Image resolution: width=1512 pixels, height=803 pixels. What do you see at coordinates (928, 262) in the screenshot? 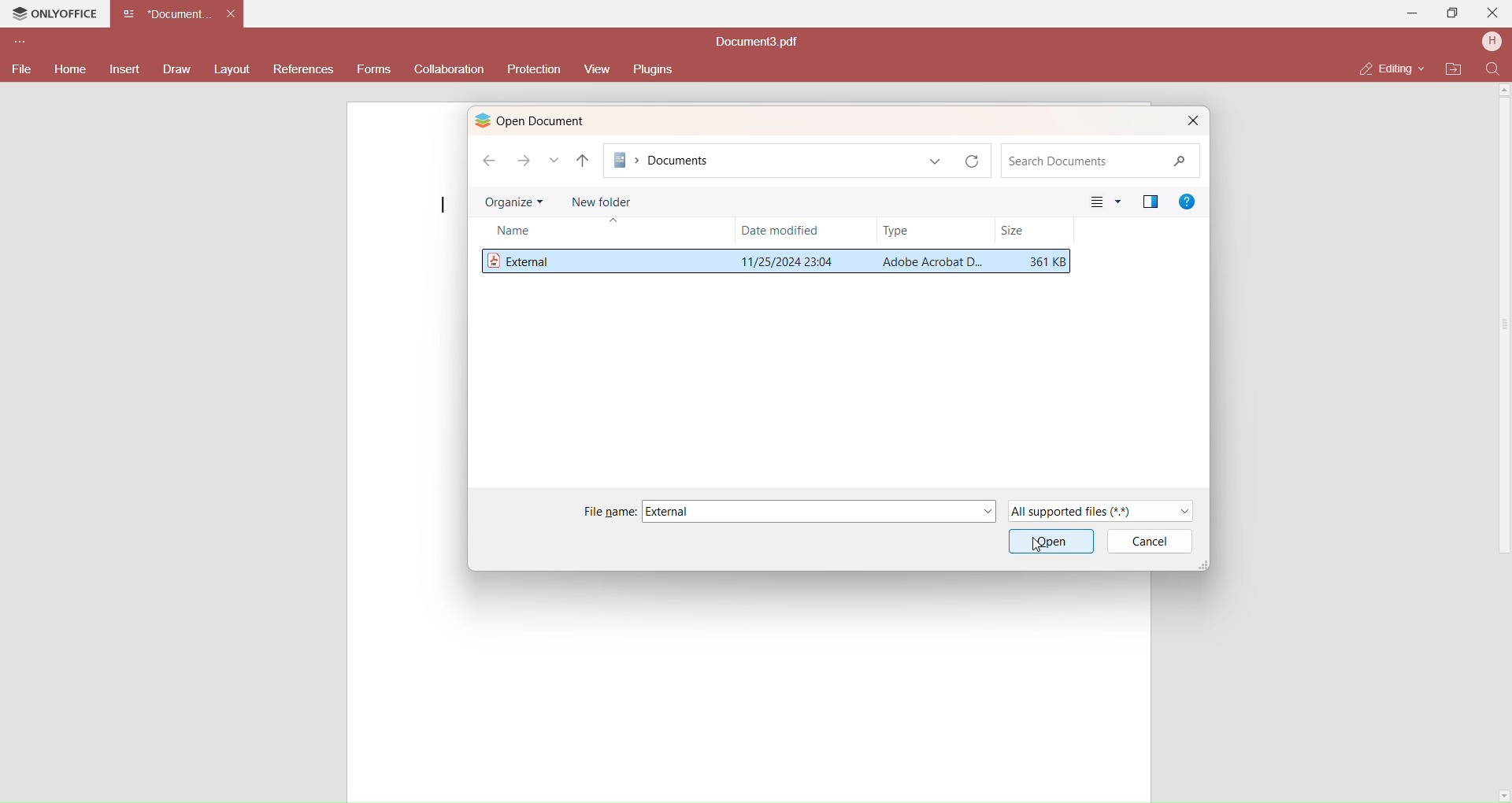
I see `File Type` at bounding box center [928, 262].